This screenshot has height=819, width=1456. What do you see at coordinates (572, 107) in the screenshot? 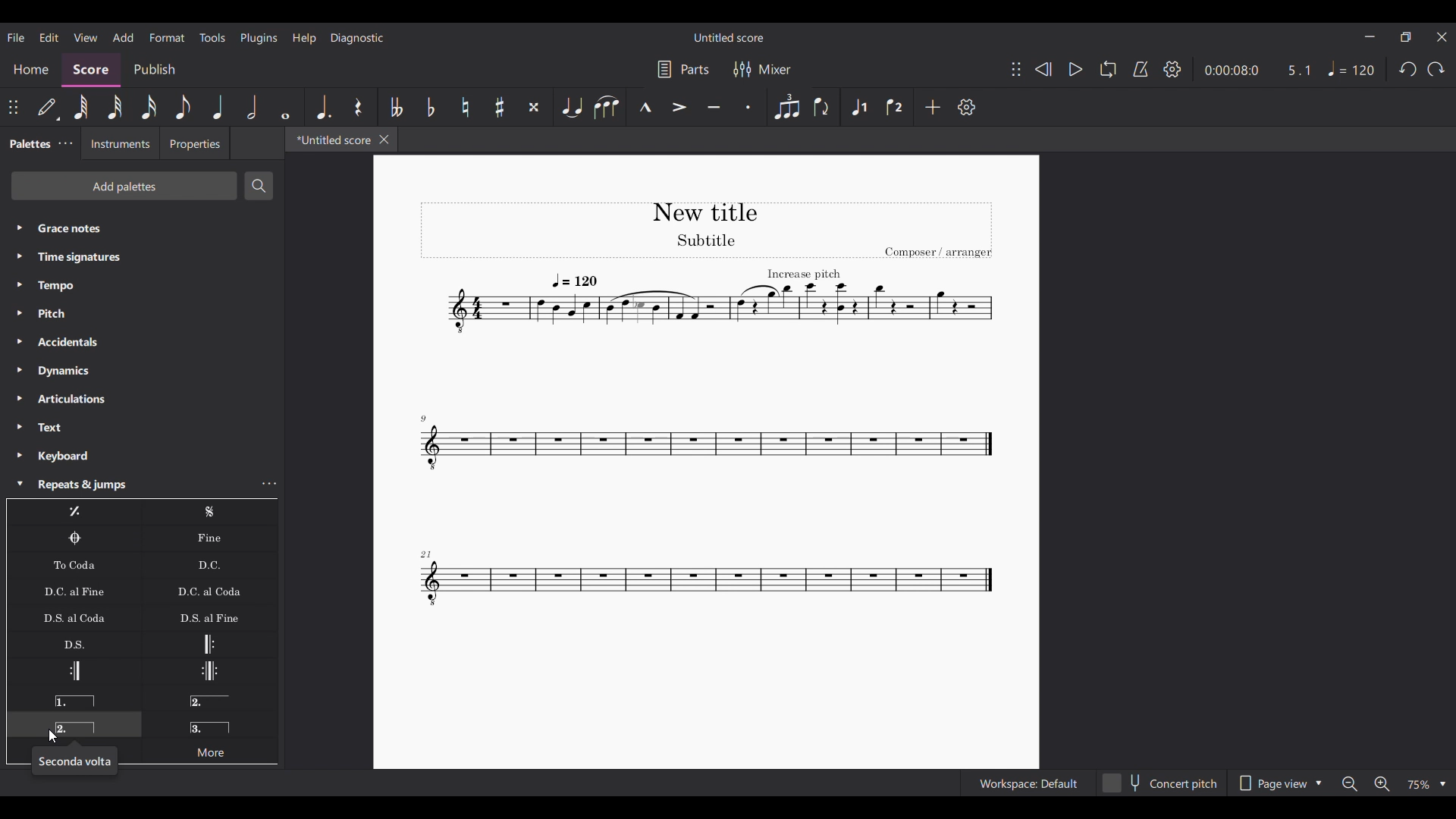
I see `Tie` at bounding box center [572, 107].